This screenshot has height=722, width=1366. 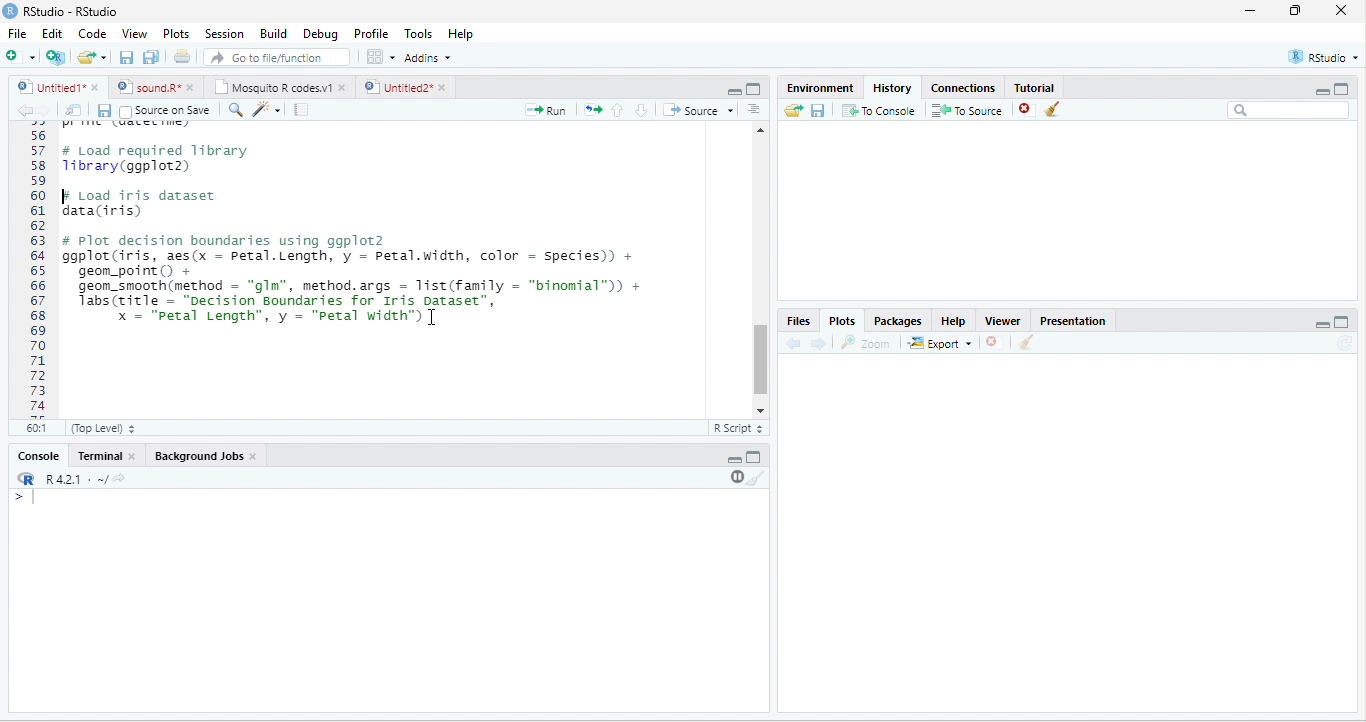 What do you see at coordinates (17, 33) in the screenshot?
I see `File` at bounding box center [17, 33].